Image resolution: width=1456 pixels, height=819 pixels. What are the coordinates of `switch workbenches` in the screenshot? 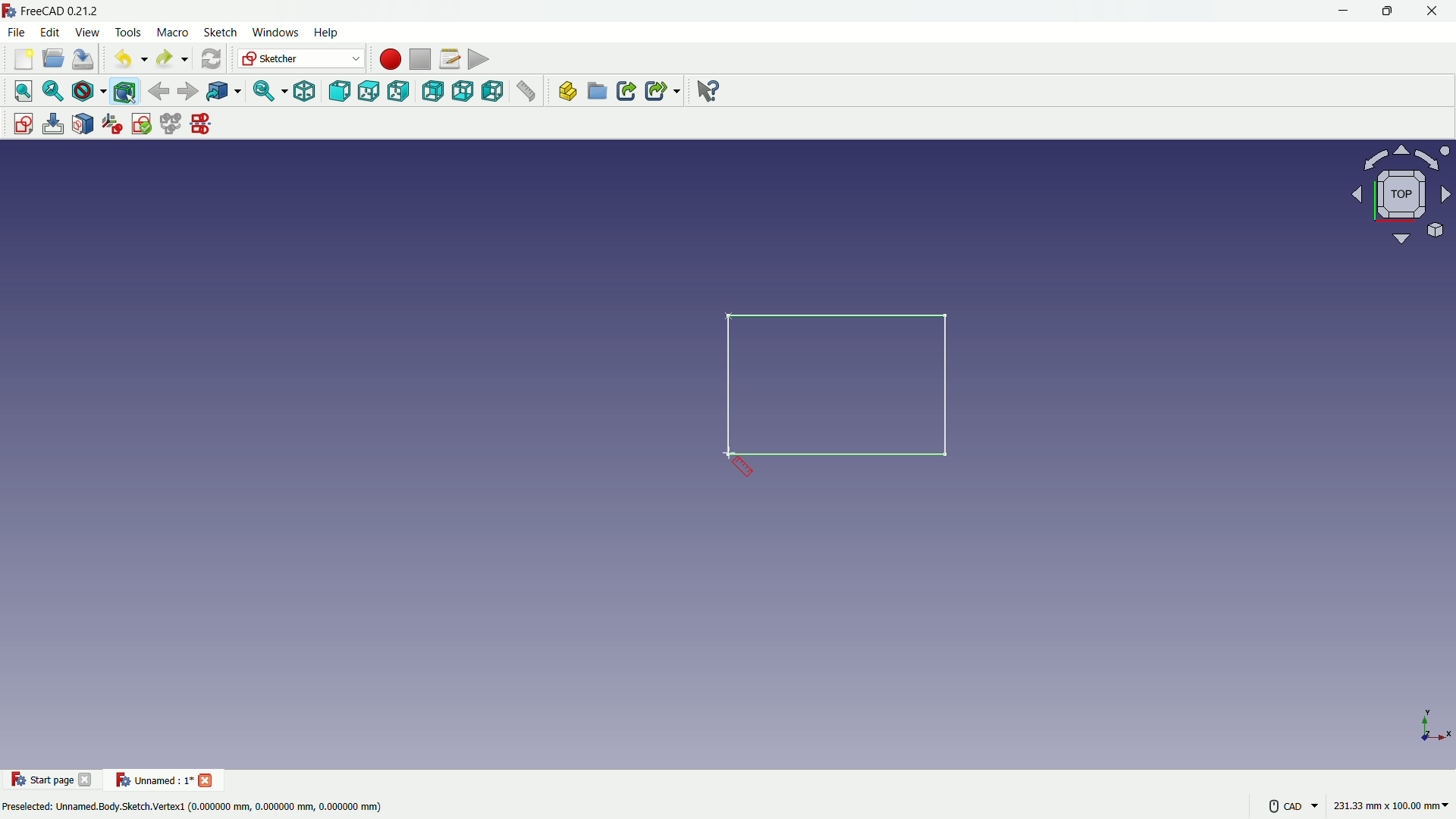 It's located at (301, 59).